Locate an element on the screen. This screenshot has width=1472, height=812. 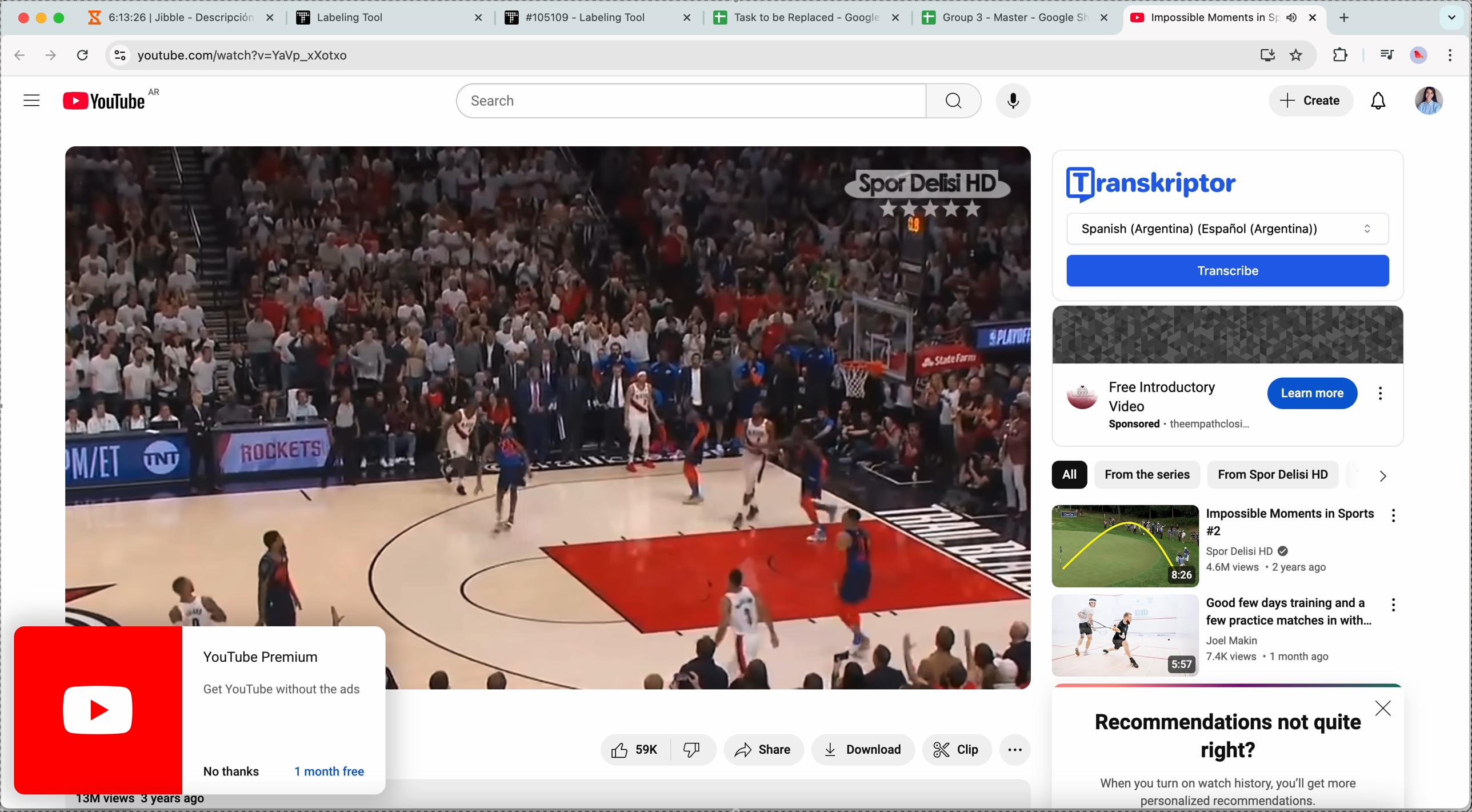
transcribe is located at coordinates (1229, 271).